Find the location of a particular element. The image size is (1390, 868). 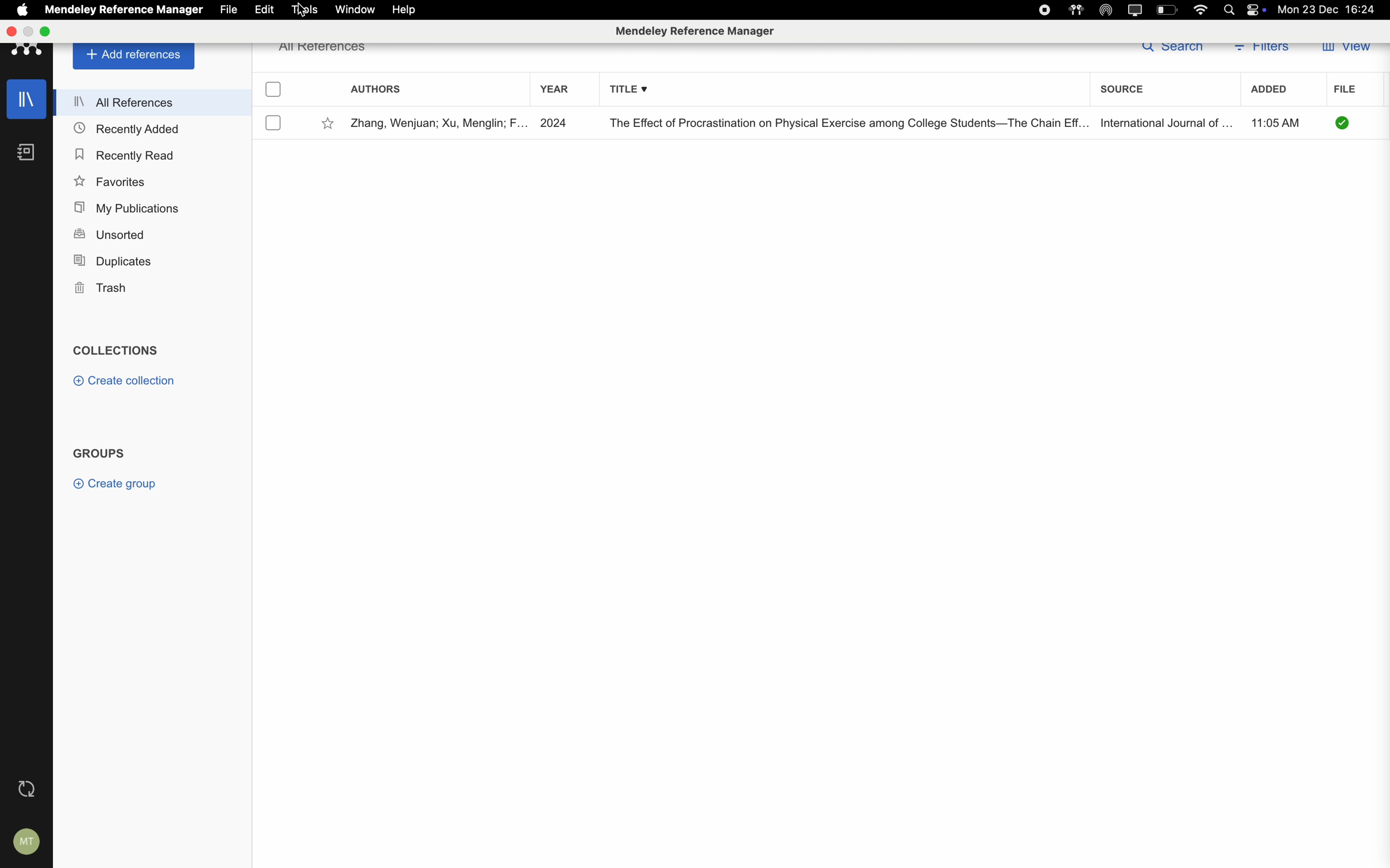

year is located at coordinates (553, 88).